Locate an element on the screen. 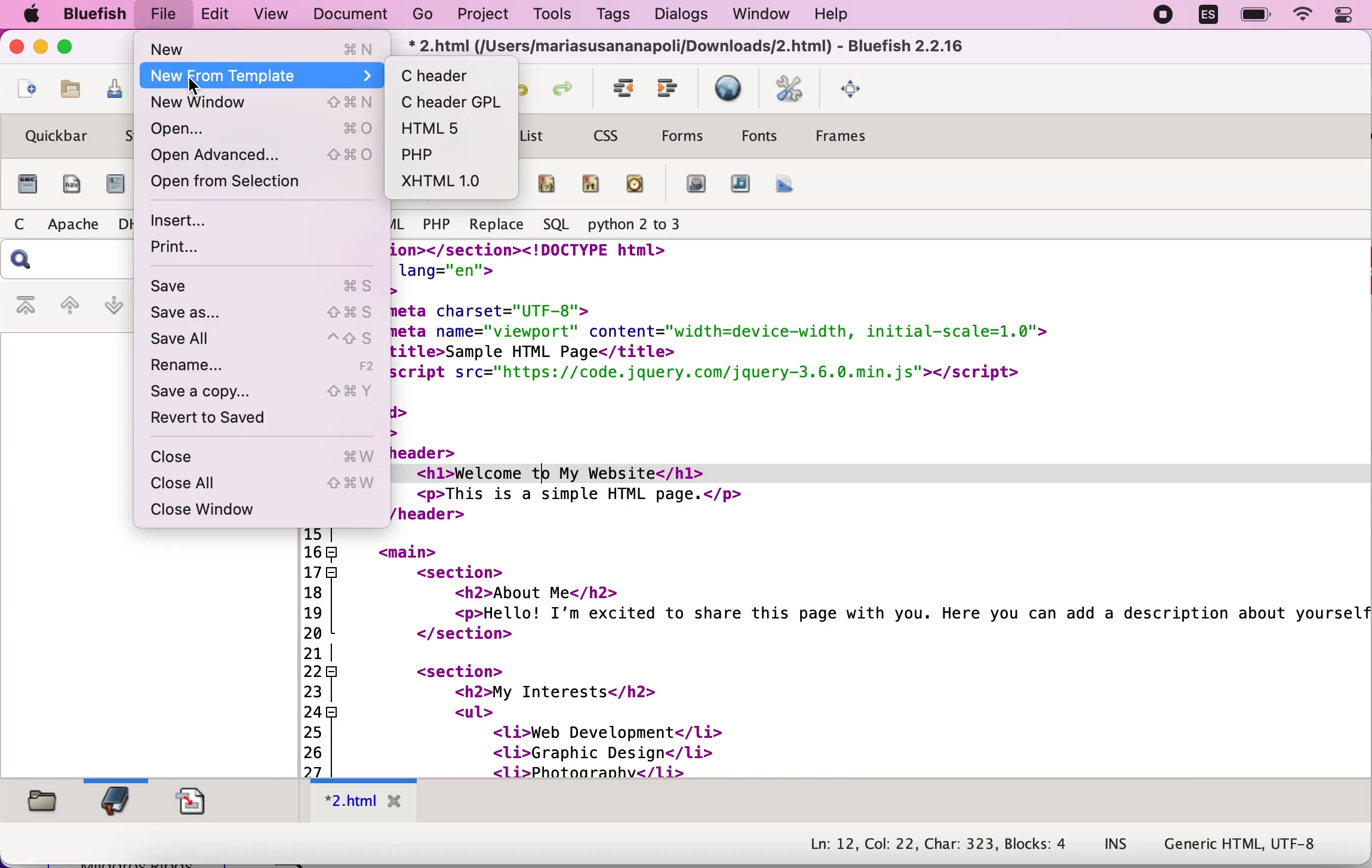 The image size is (1372, 868). previous bookmark is located at coordinates (69, 303).